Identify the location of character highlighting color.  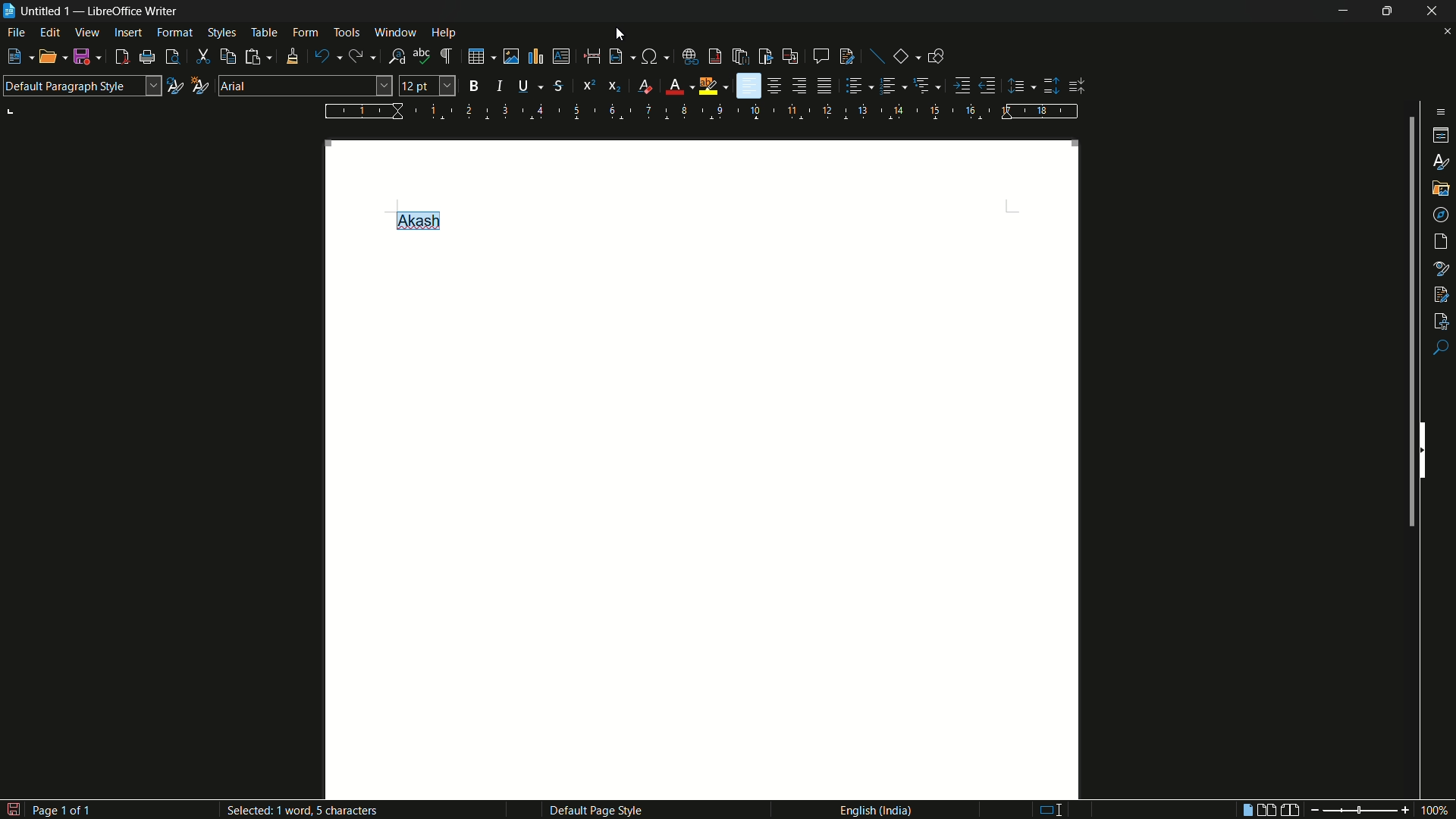
(708, 86).